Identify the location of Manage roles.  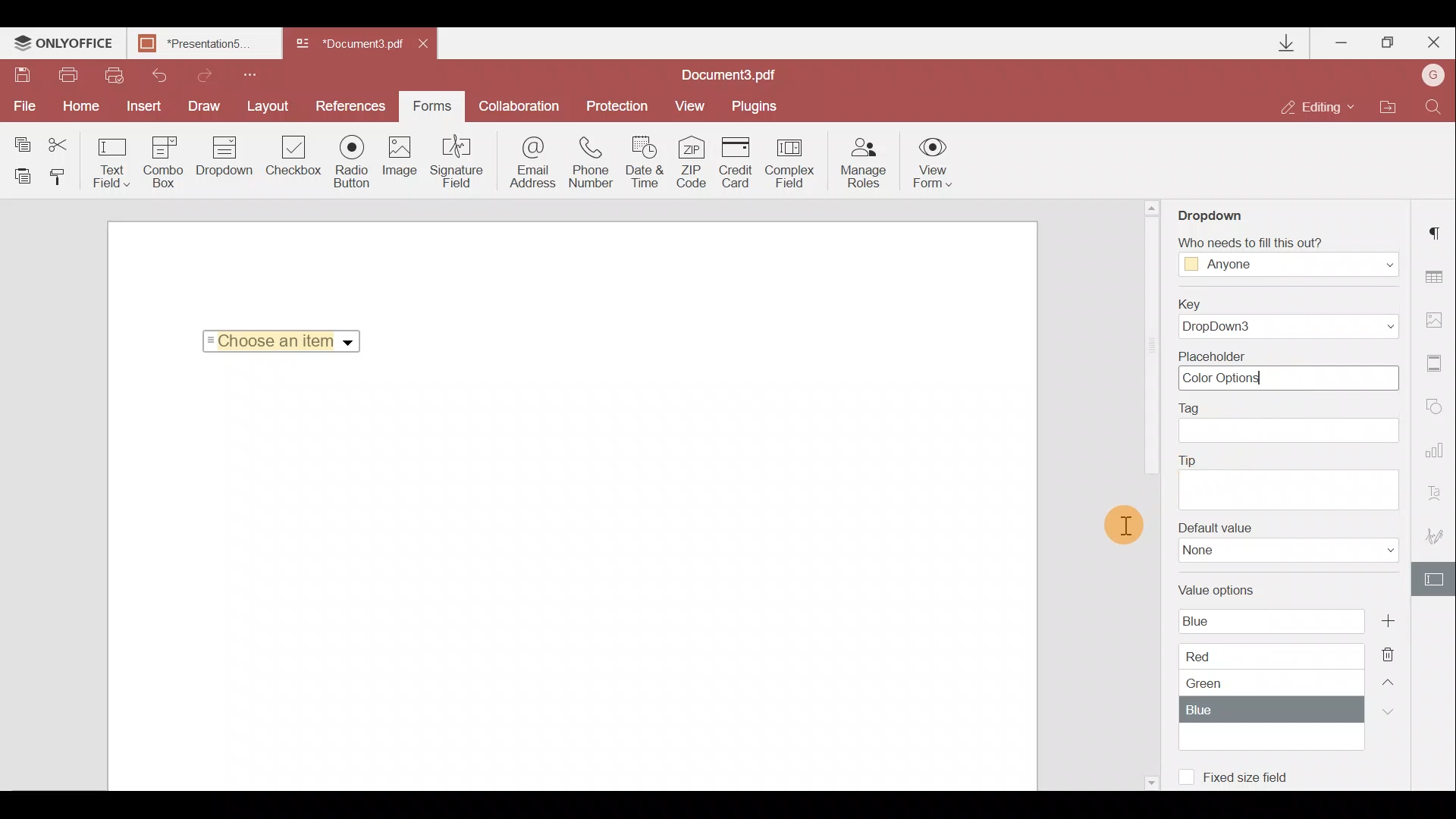
(864, 163).